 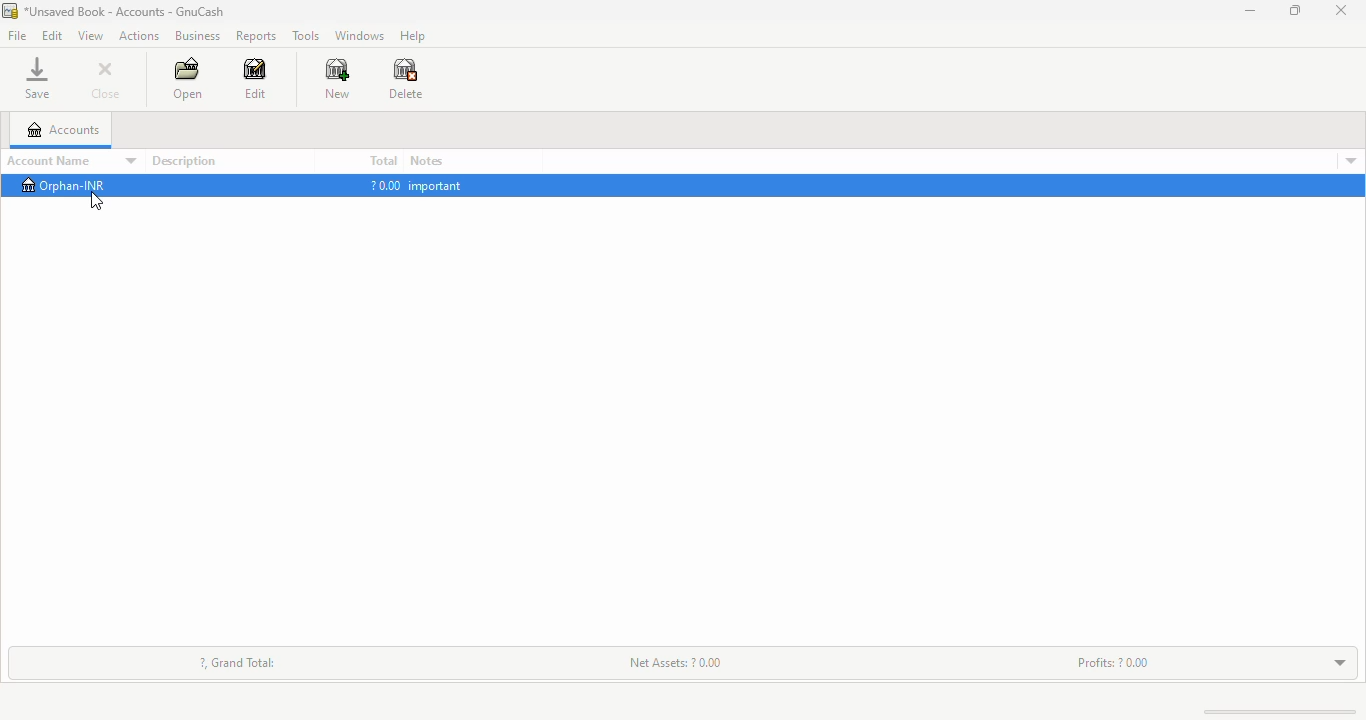 What do you see at coordinates (1351, 160) in the screenshot?
I see `account details` at bounding box center [1351, 160].